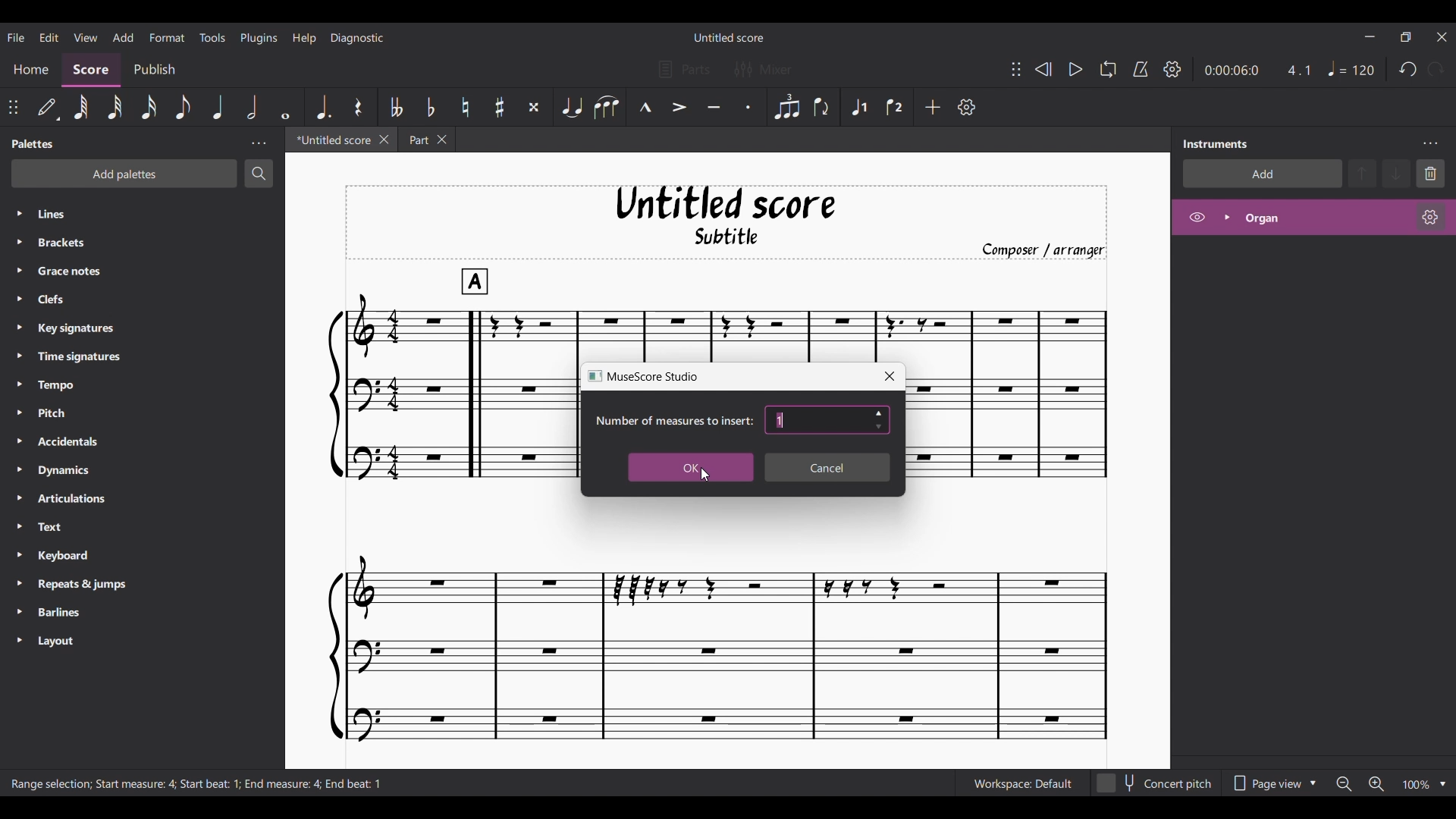  Describe the element at coordinates (212, 37) in the screenshot. I see `Tools menu` at that location.